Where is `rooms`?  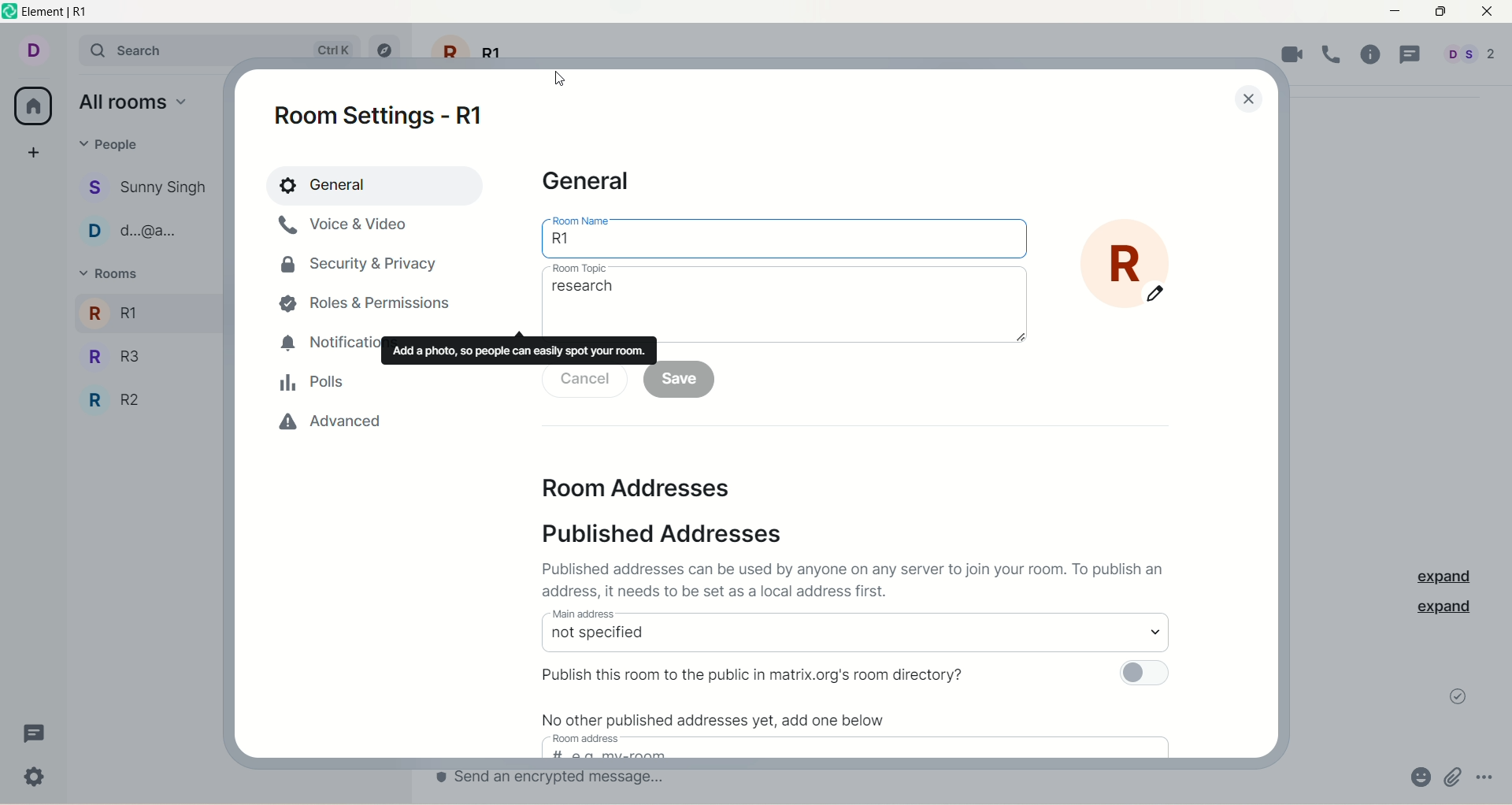
rooms is located at coordinates (114, 273).